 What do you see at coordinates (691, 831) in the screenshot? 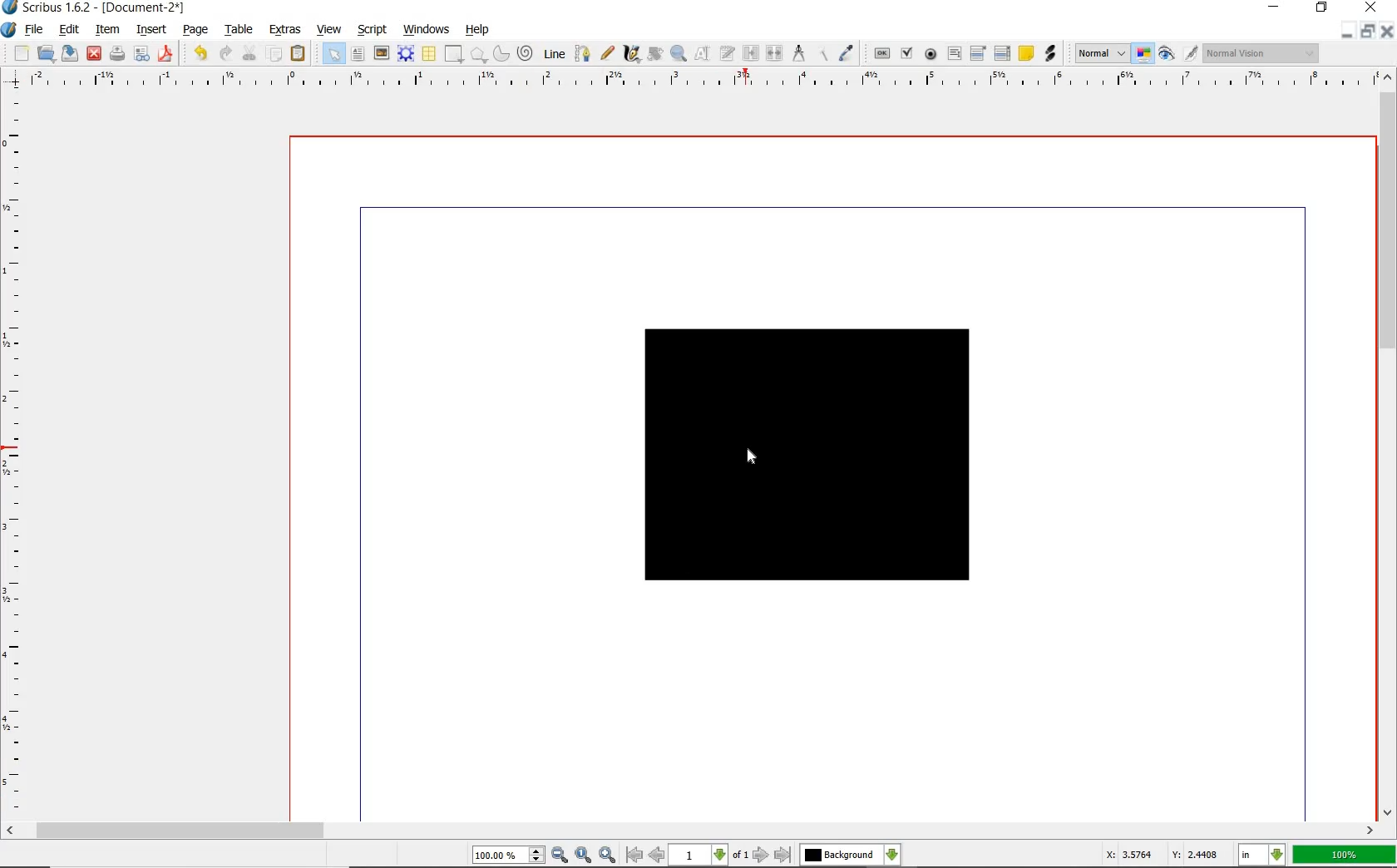
I see `scrollbar` at bounding box center [691, 831].